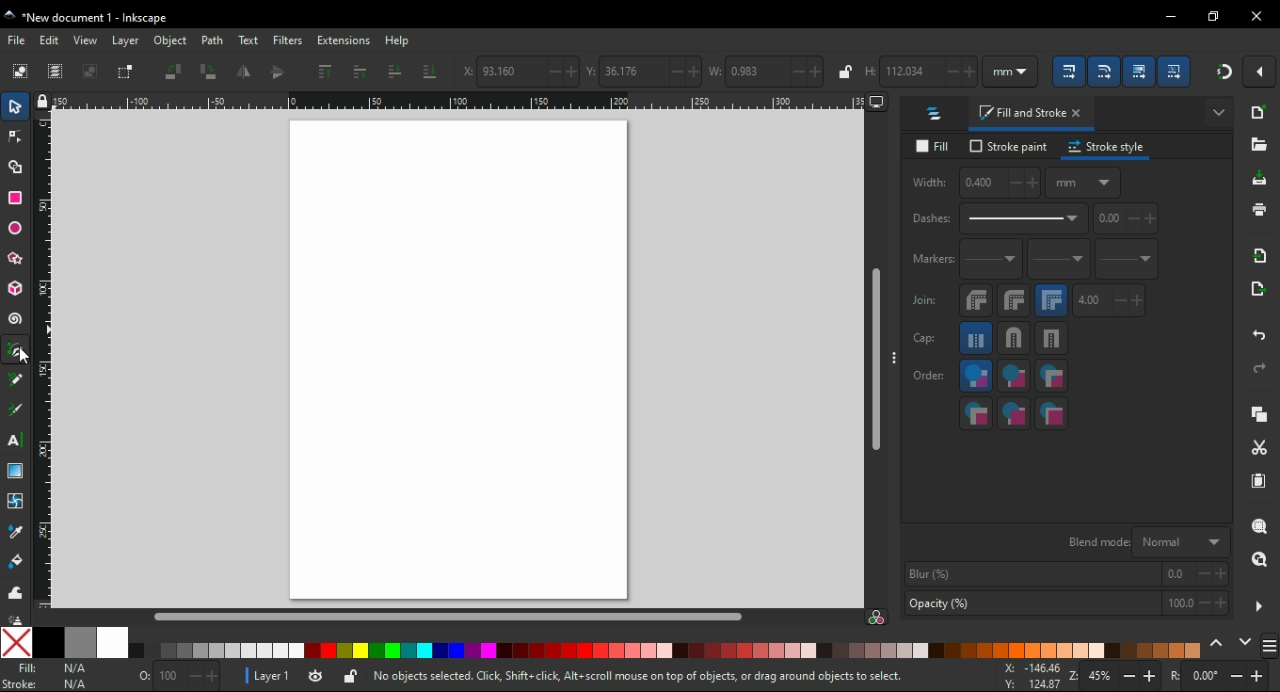 This screenshot has height=692, width=1280. What do you see at coordinates (86, 40) in the screenshot?
I see `view` at bounding box center [86, 40].